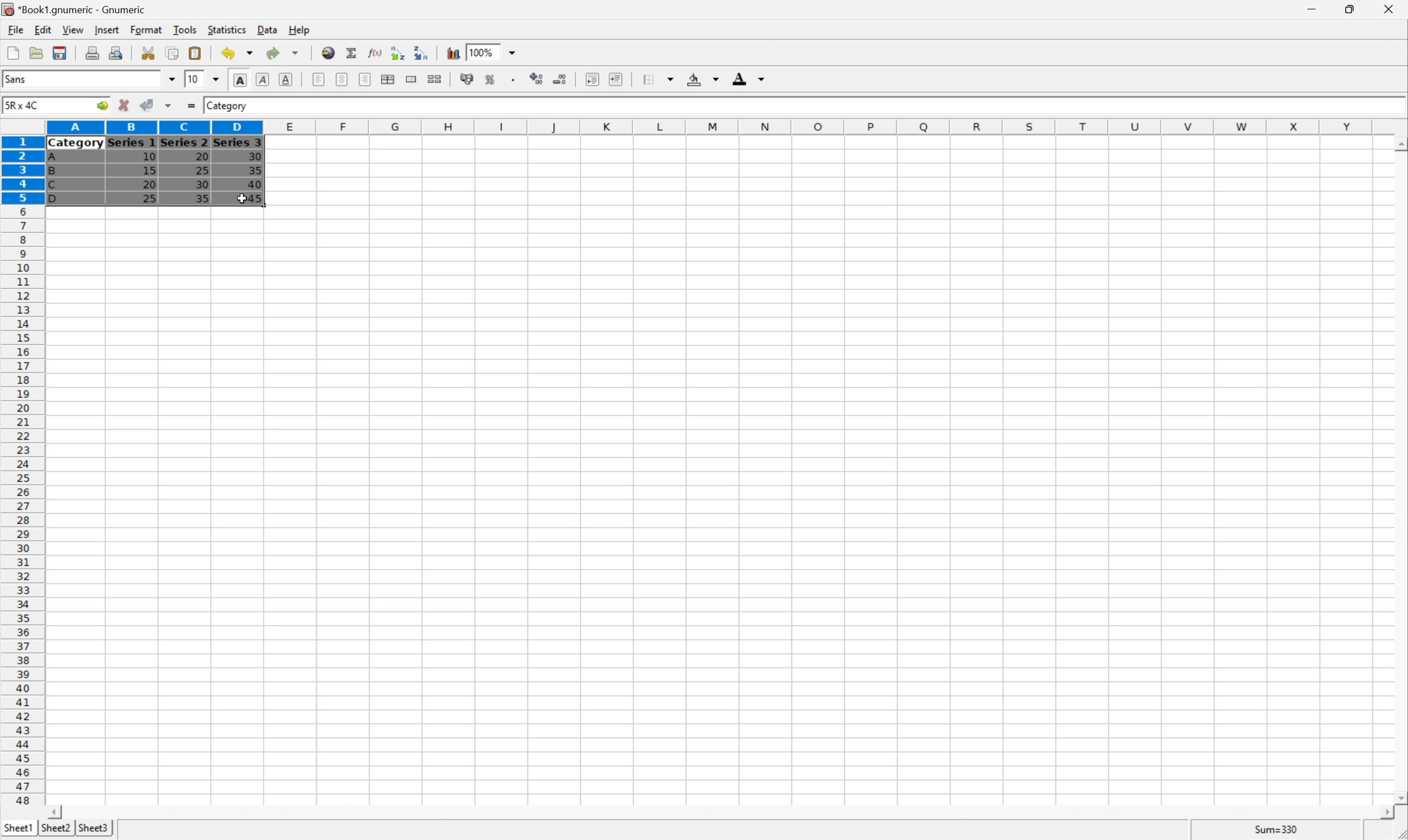 The image size is (1408, 840). Describe the element at coordinates (92, 54) in the screenshot. I see `Print current file` at that location.